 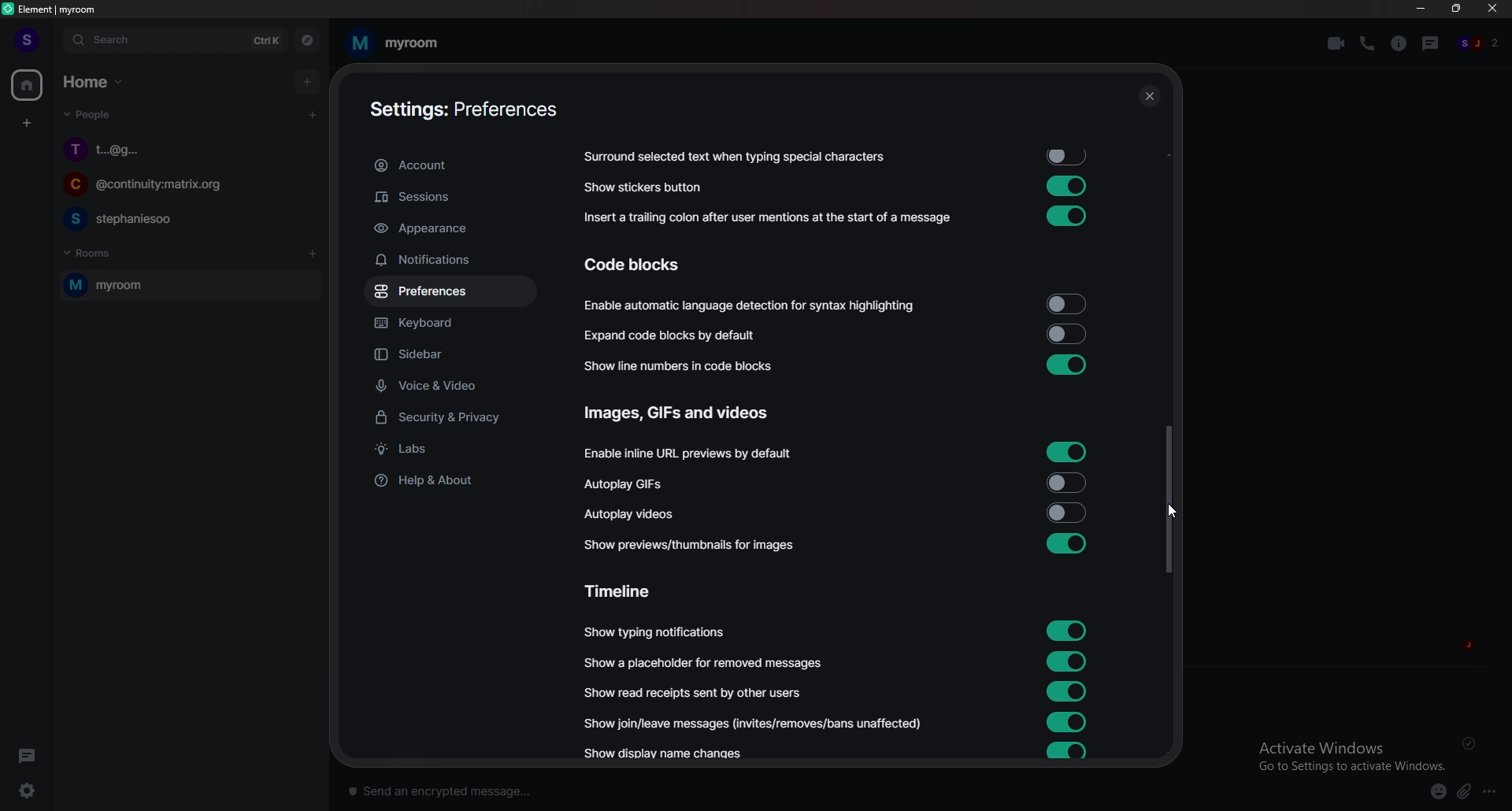 I want to click on toggle, so click(x=1068, y=722).